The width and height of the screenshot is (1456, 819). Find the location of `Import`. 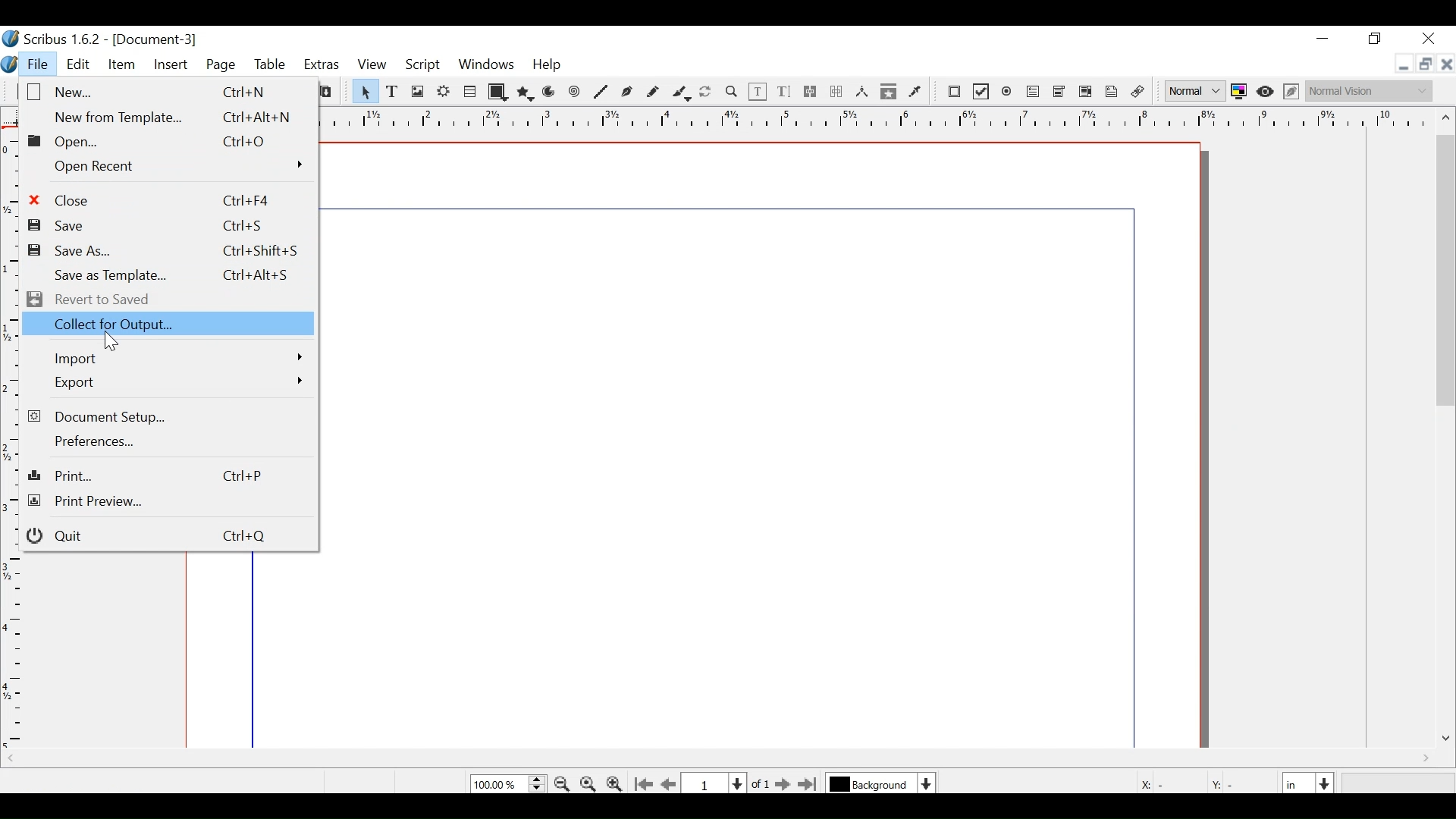

Import is located at coordinates (177, 360).